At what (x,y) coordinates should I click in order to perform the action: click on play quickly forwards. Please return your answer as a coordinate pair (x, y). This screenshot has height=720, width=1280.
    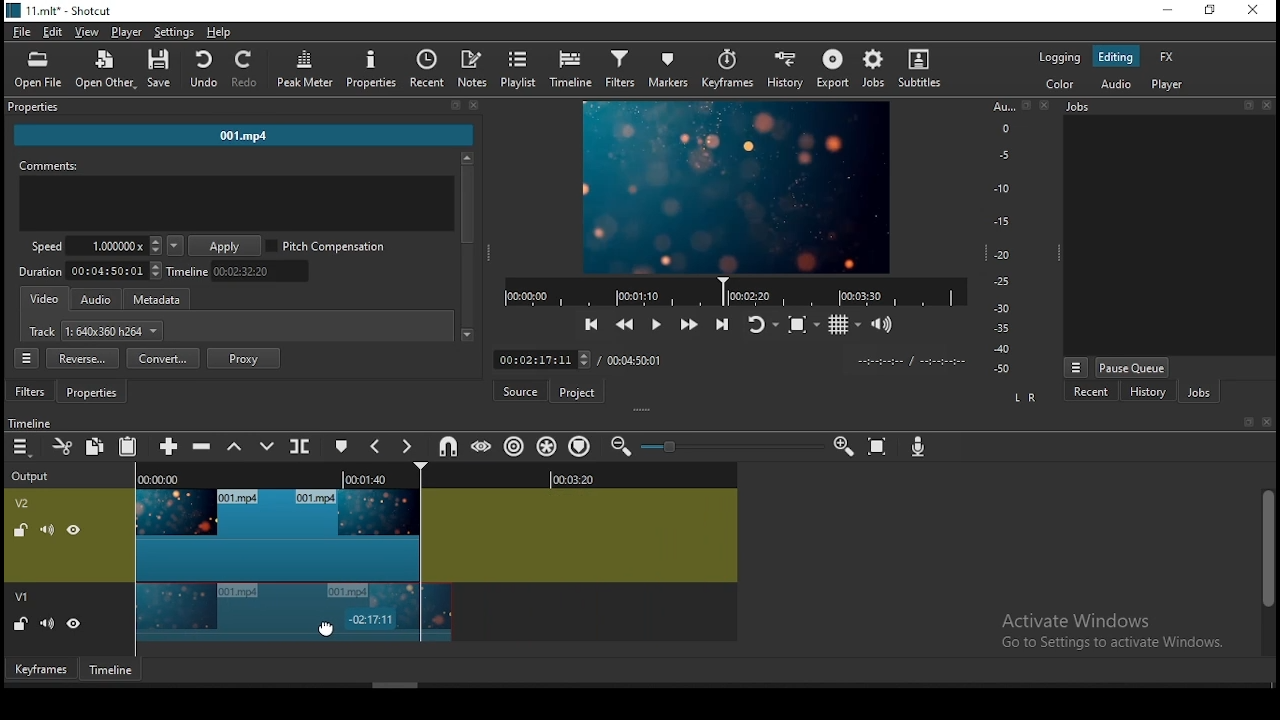
    Looking at the image, I should click on (691, 325).